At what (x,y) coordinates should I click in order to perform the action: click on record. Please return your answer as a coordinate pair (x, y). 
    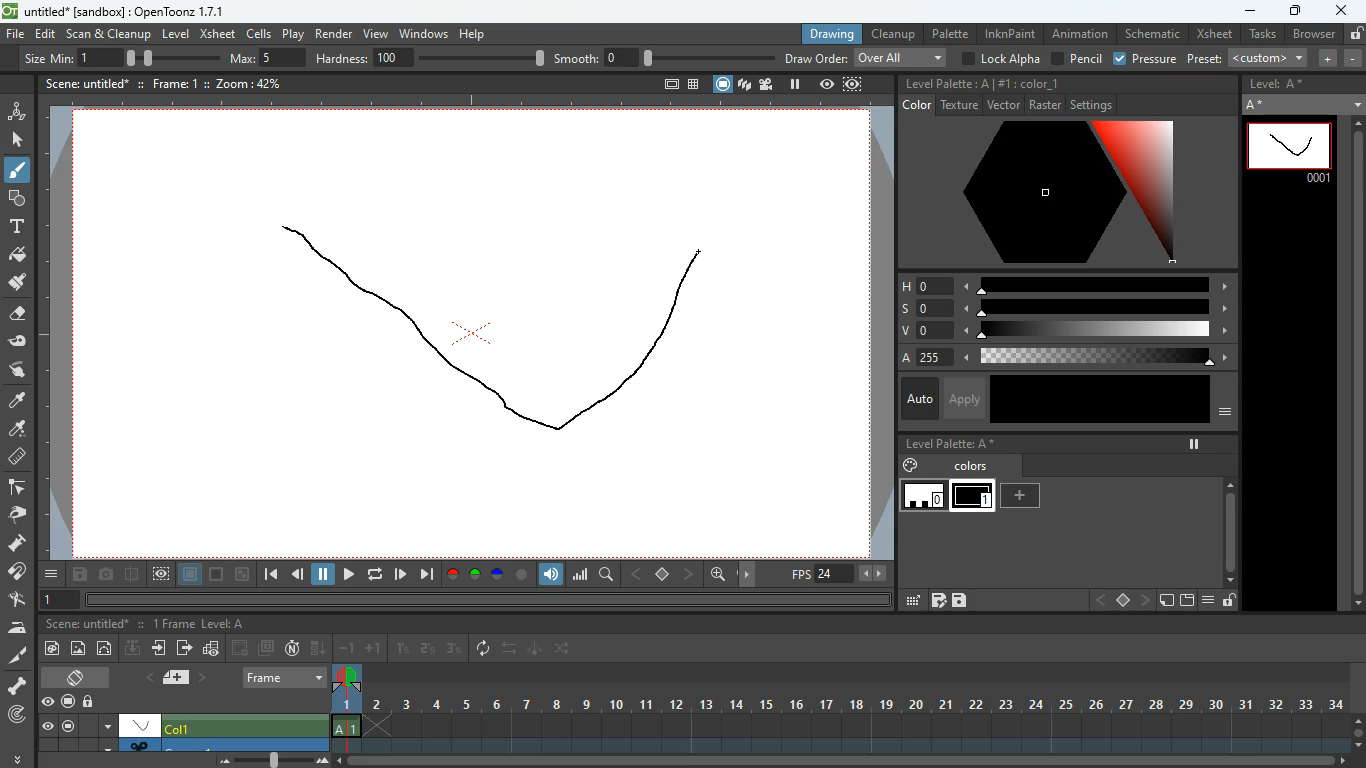
    Looking at the image, I should click on (67, 703).